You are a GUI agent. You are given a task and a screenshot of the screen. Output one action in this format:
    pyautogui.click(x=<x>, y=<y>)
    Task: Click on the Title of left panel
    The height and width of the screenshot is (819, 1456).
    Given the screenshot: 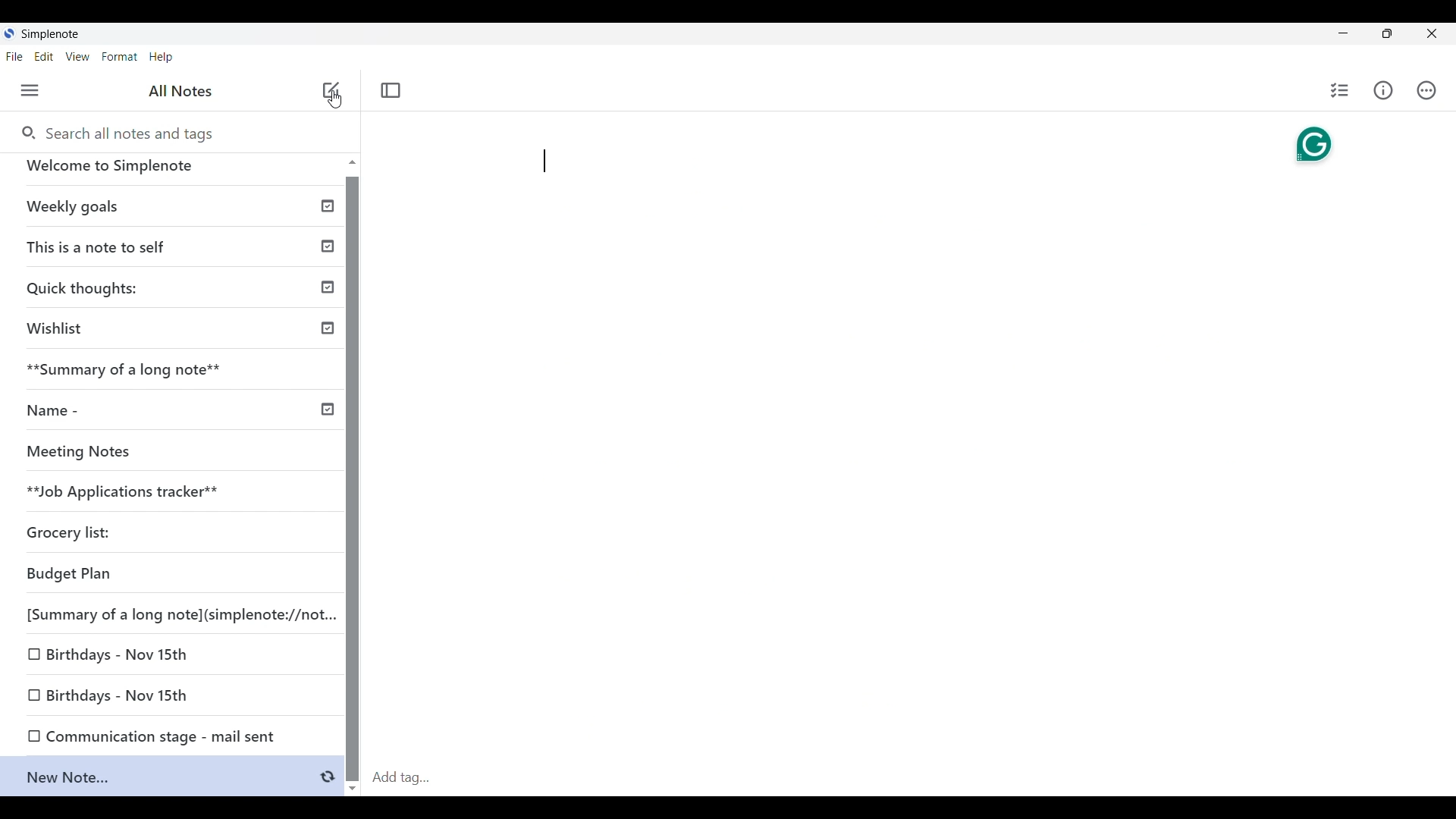 What is the action you would take?
    pyautogui.click(x=181, y=91)
    